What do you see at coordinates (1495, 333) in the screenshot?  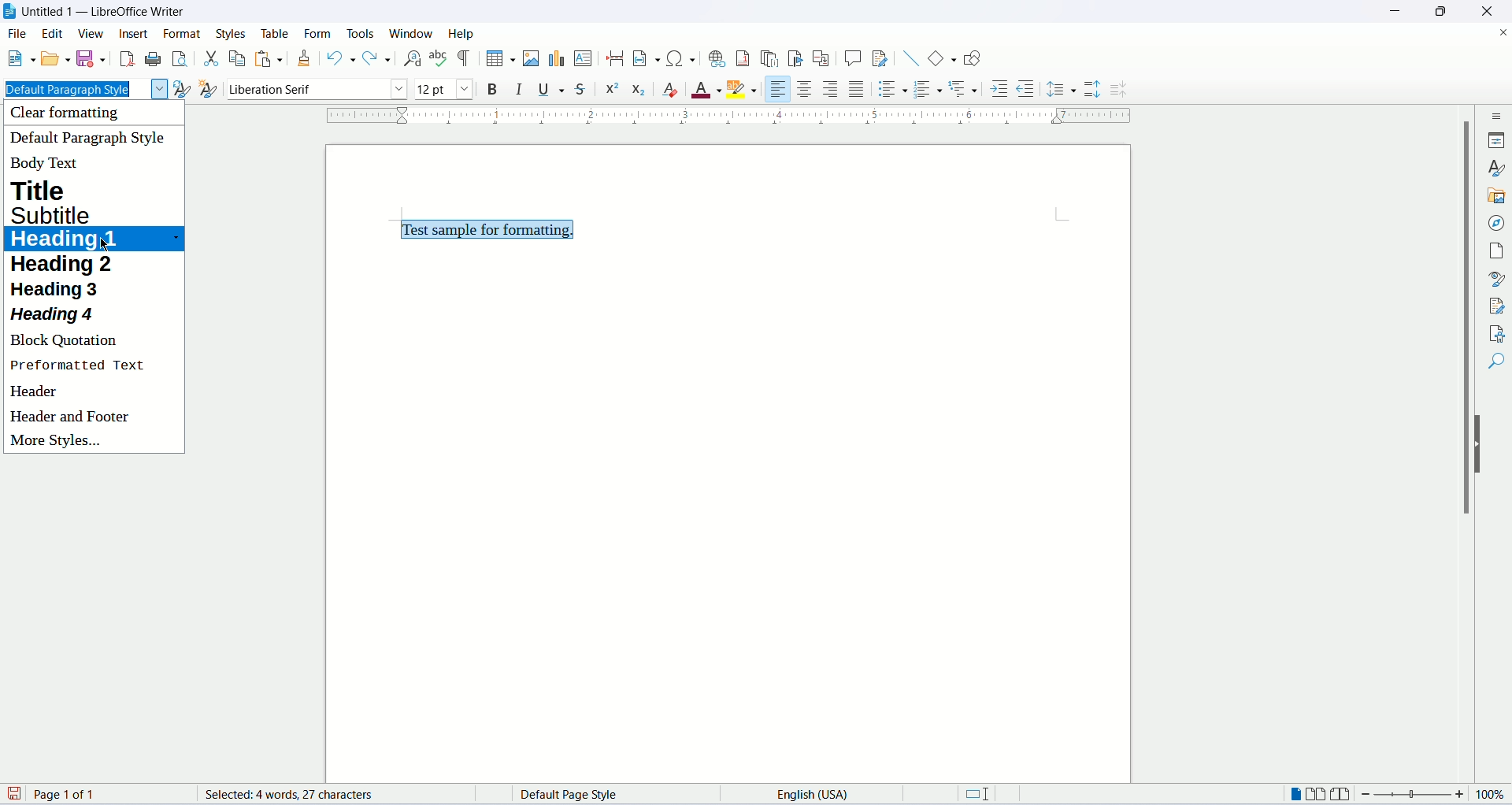 I see `check accessibility` at bounding box center [1495, 333].